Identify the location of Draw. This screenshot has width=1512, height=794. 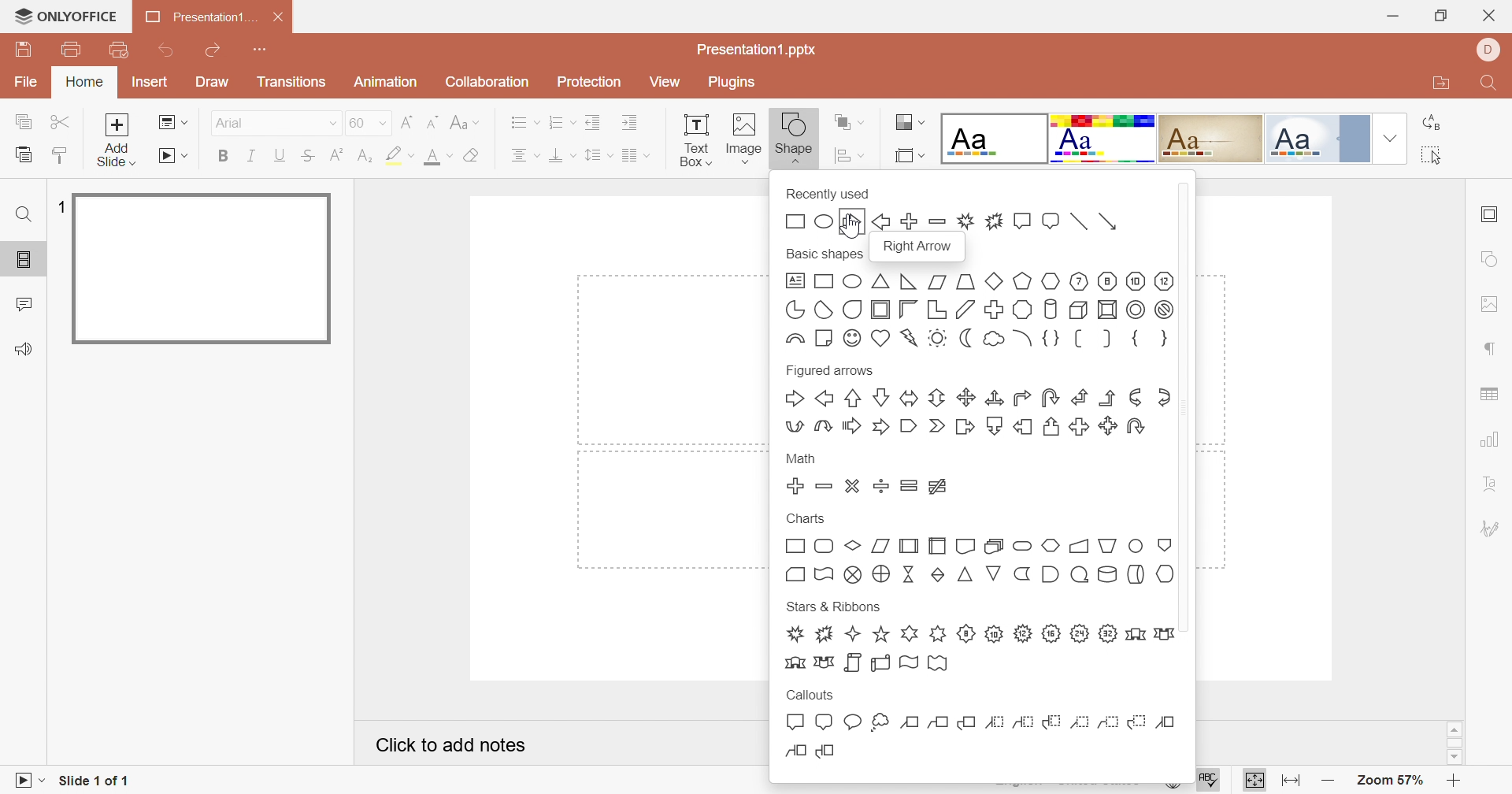
(210, 80).